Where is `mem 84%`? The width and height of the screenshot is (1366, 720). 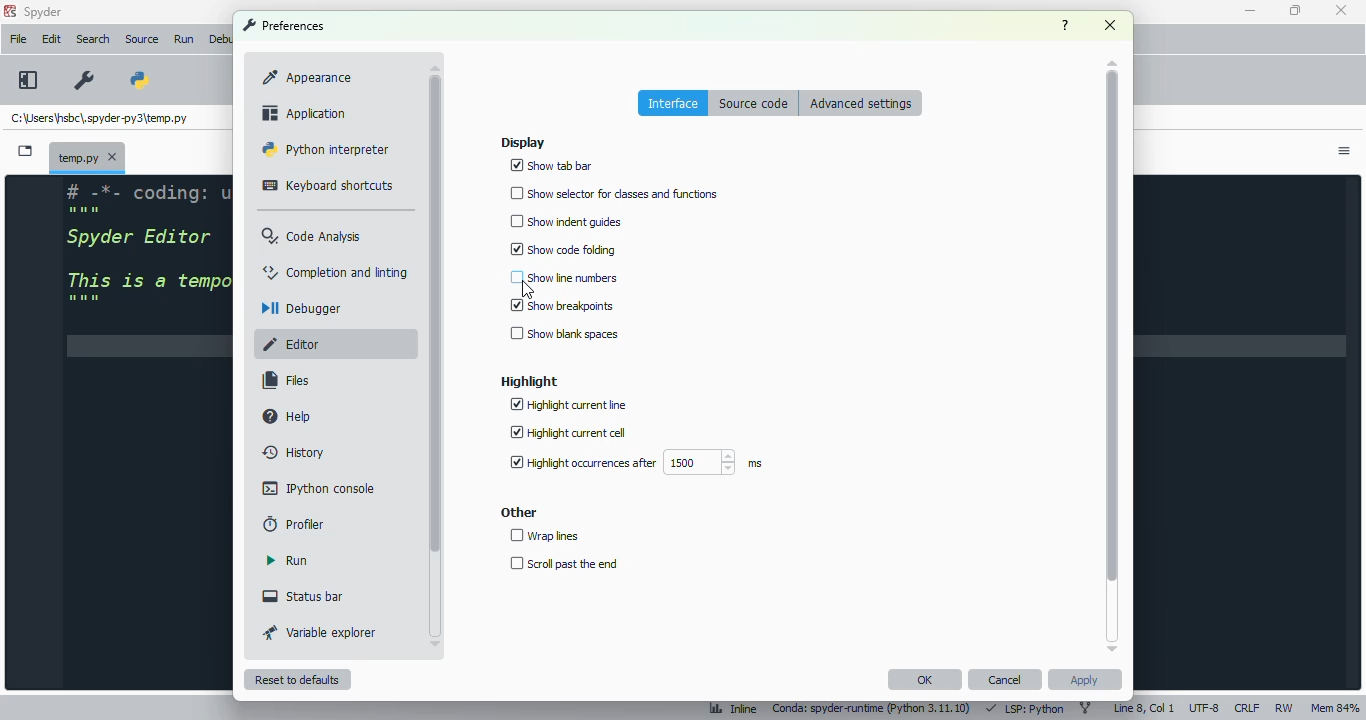 mem 84% is located at coordinates (1333, 707).